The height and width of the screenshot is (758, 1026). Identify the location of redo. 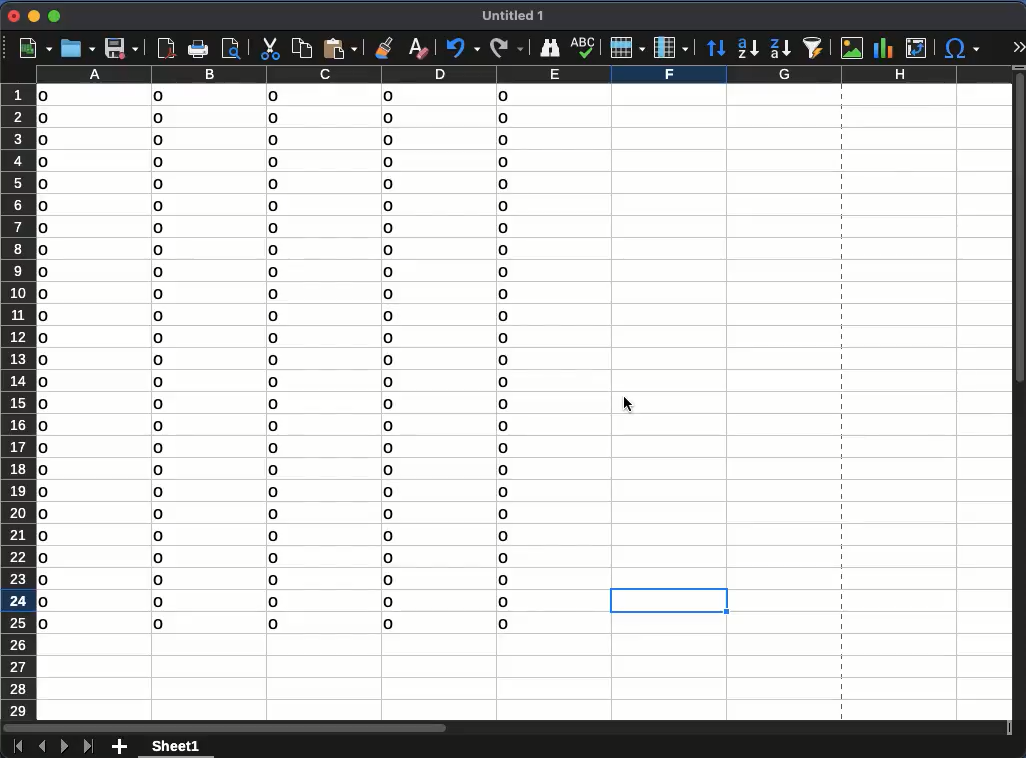
(506, 46).